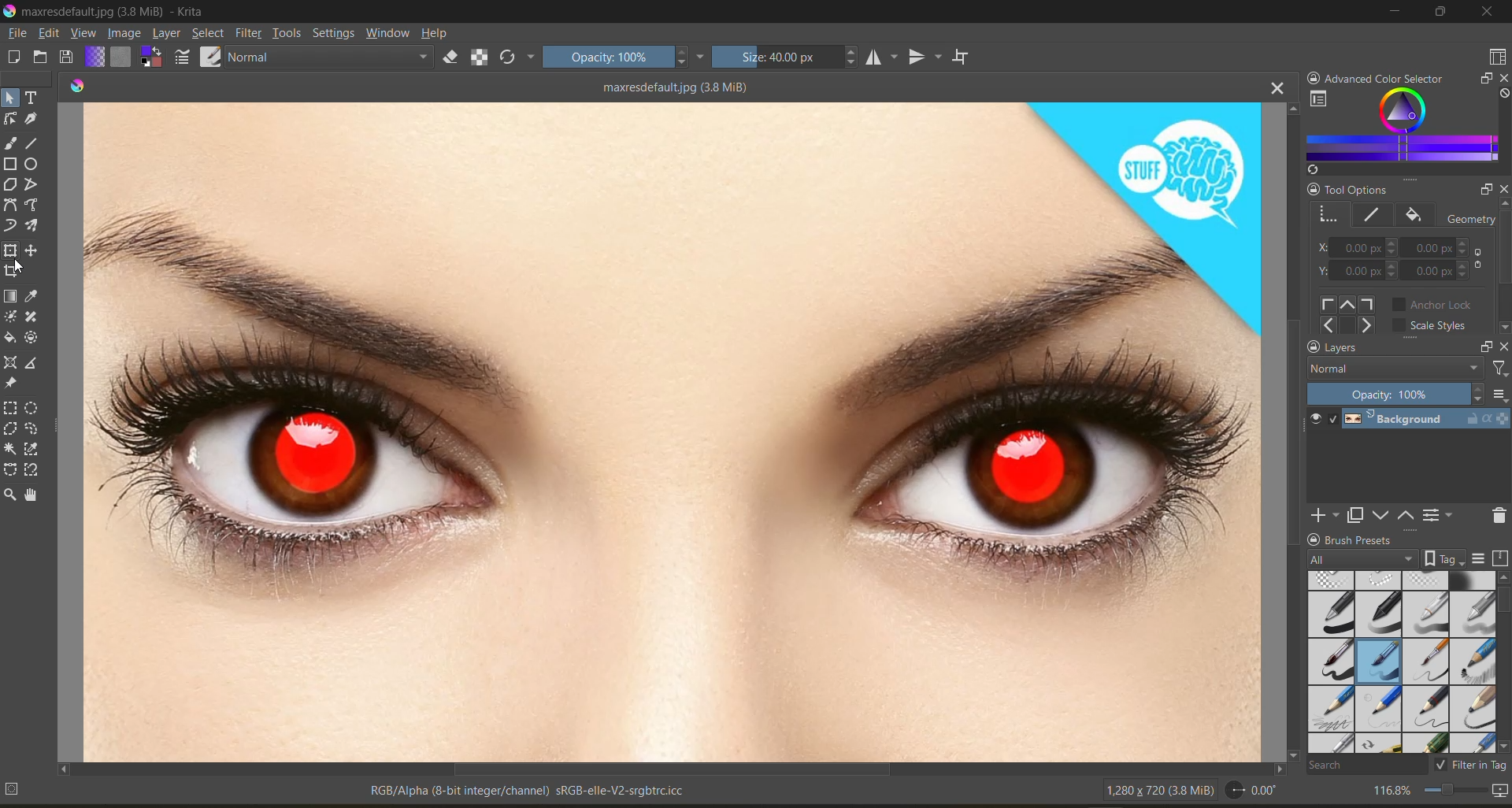 The image size is (1512, 808). What do you see at coordinates (11, 409) in the screenshot?
I see `tool` at bounding box center [11, 409].